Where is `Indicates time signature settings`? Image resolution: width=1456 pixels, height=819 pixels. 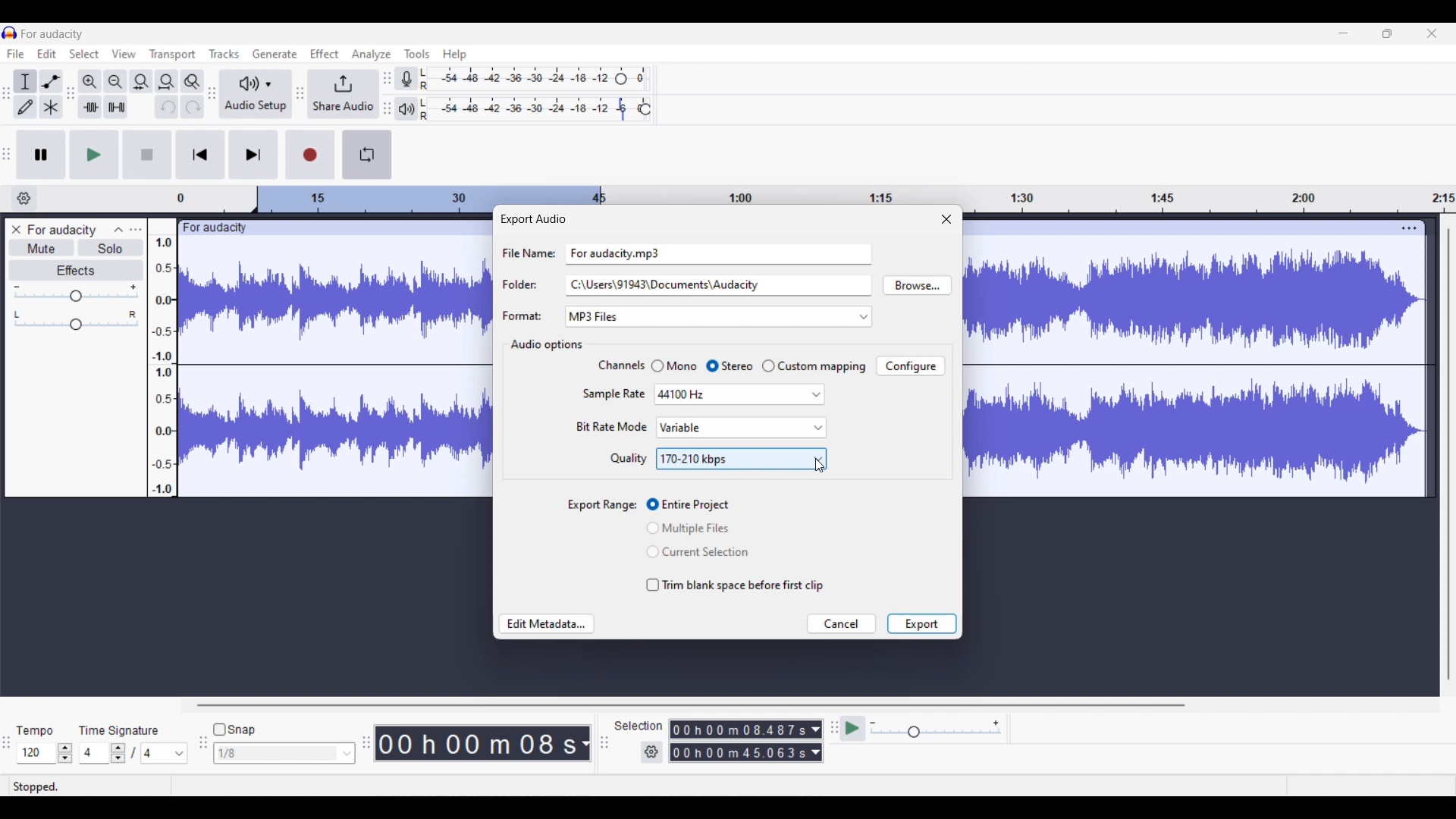
Indicates time signature settings is located at coordinates (119, 730).